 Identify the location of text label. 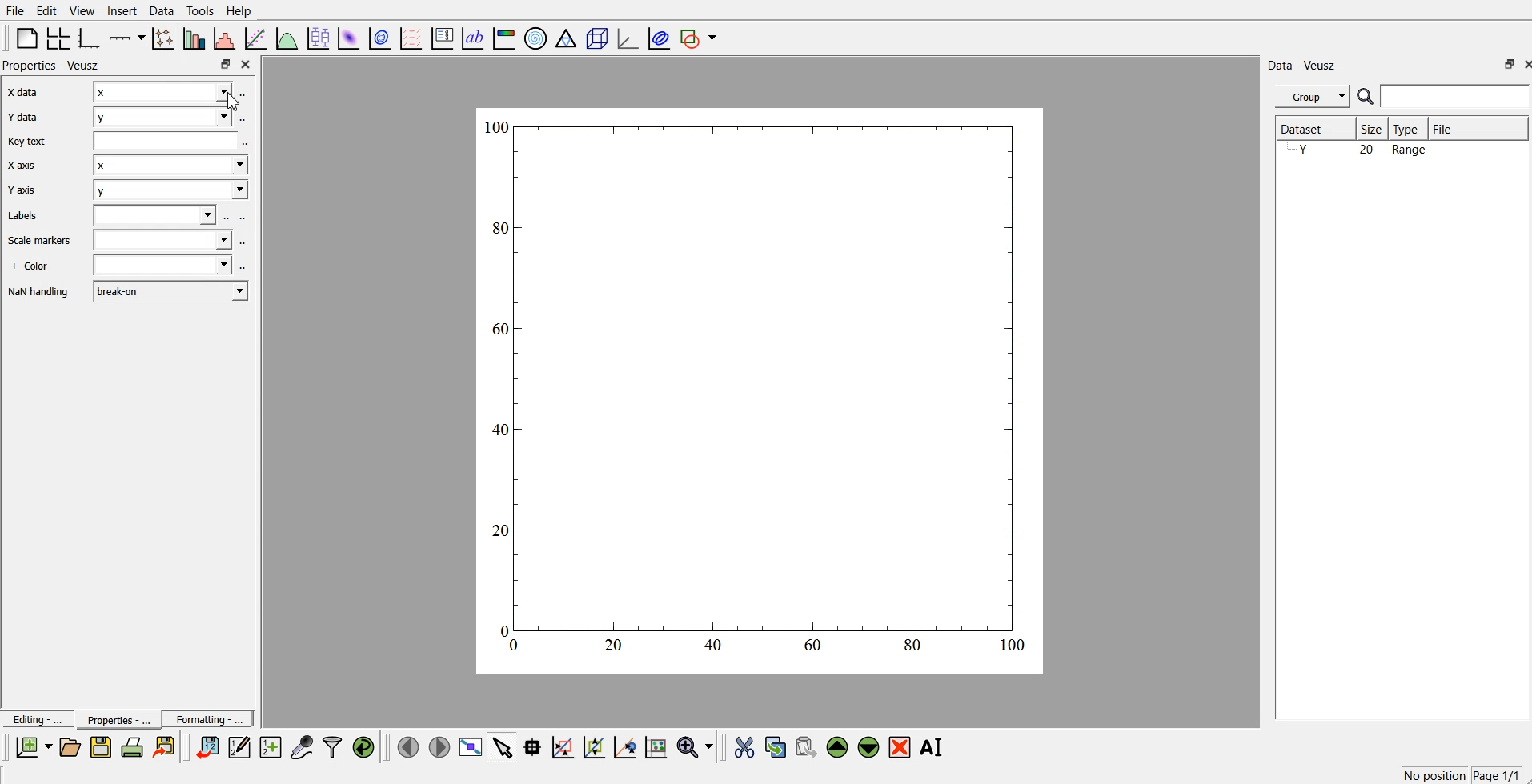
(473, 38).